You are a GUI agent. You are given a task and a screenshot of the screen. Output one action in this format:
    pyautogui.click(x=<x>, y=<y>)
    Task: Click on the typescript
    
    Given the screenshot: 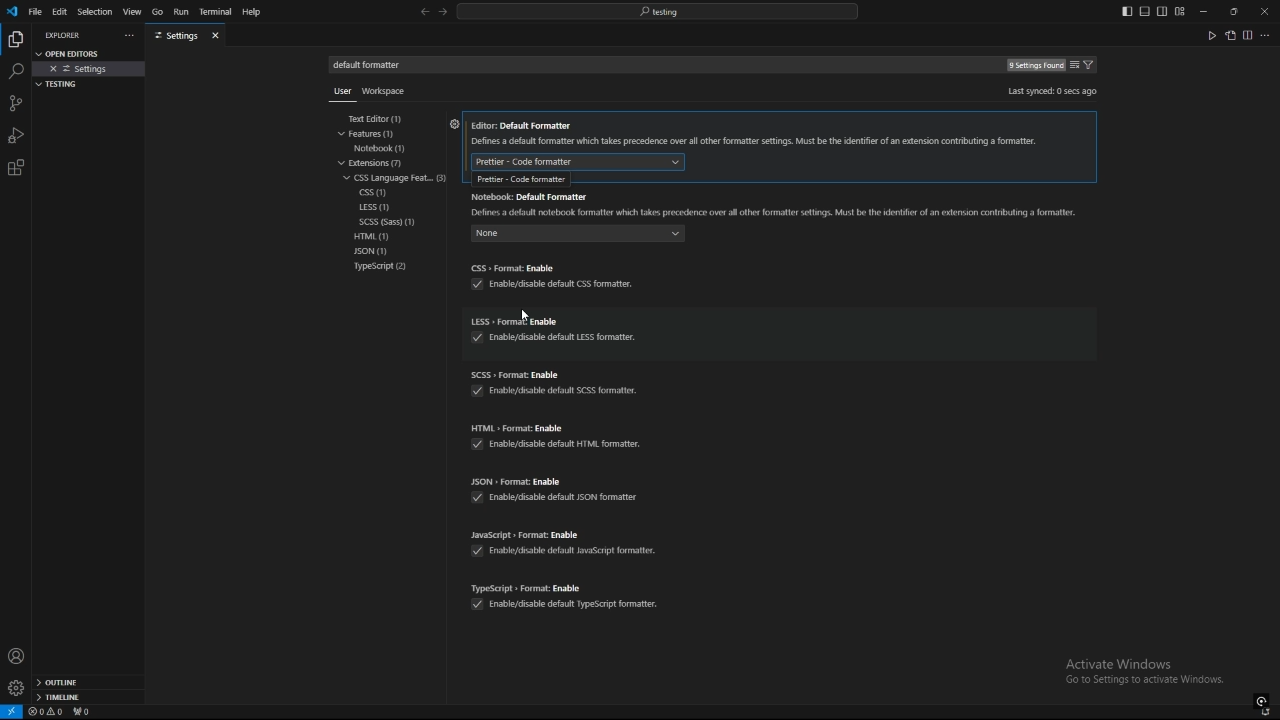 What is the action you would take?
    pyautogui.click(x=381, y=267)
    